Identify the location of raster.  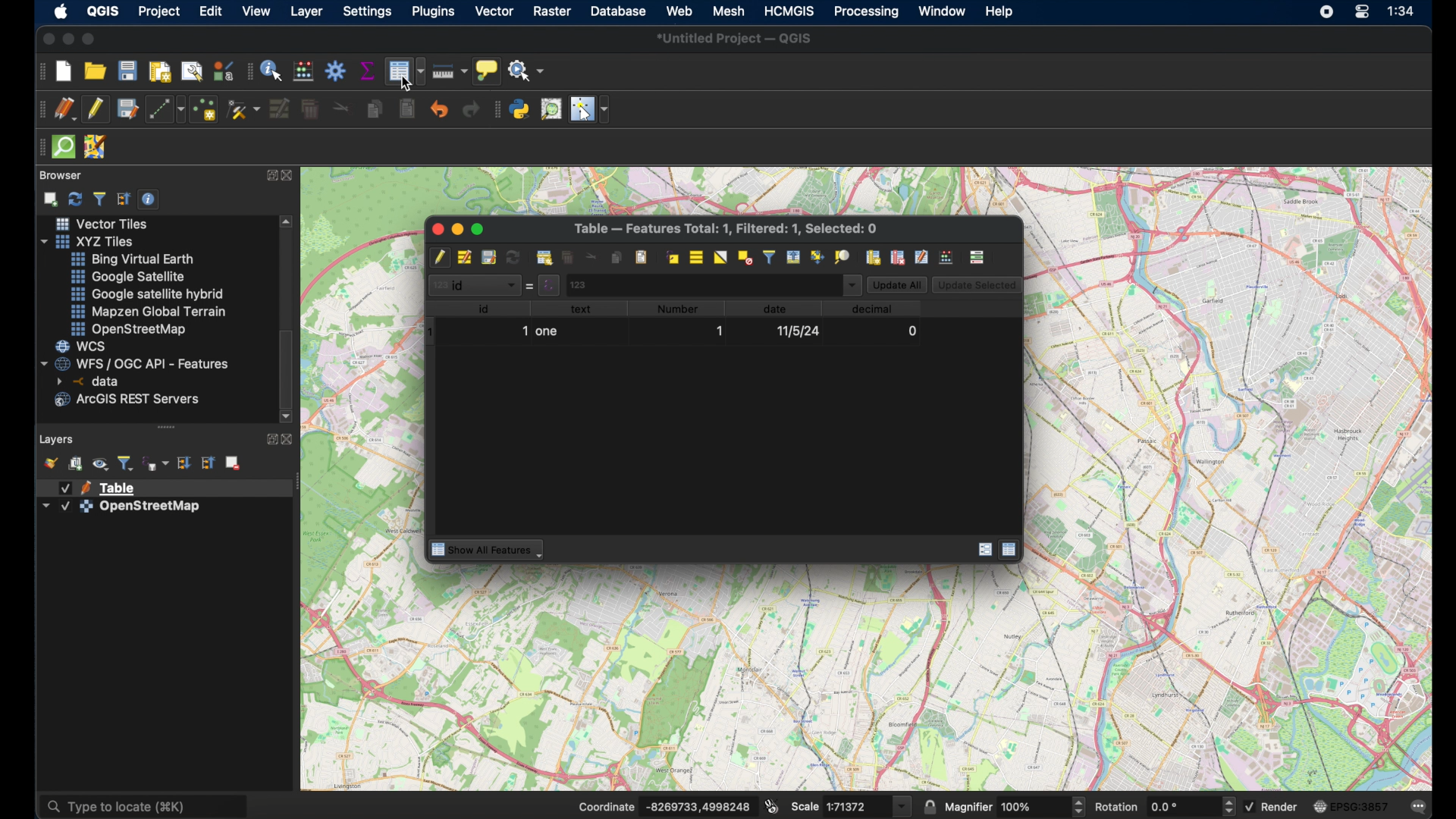
(551, 11).